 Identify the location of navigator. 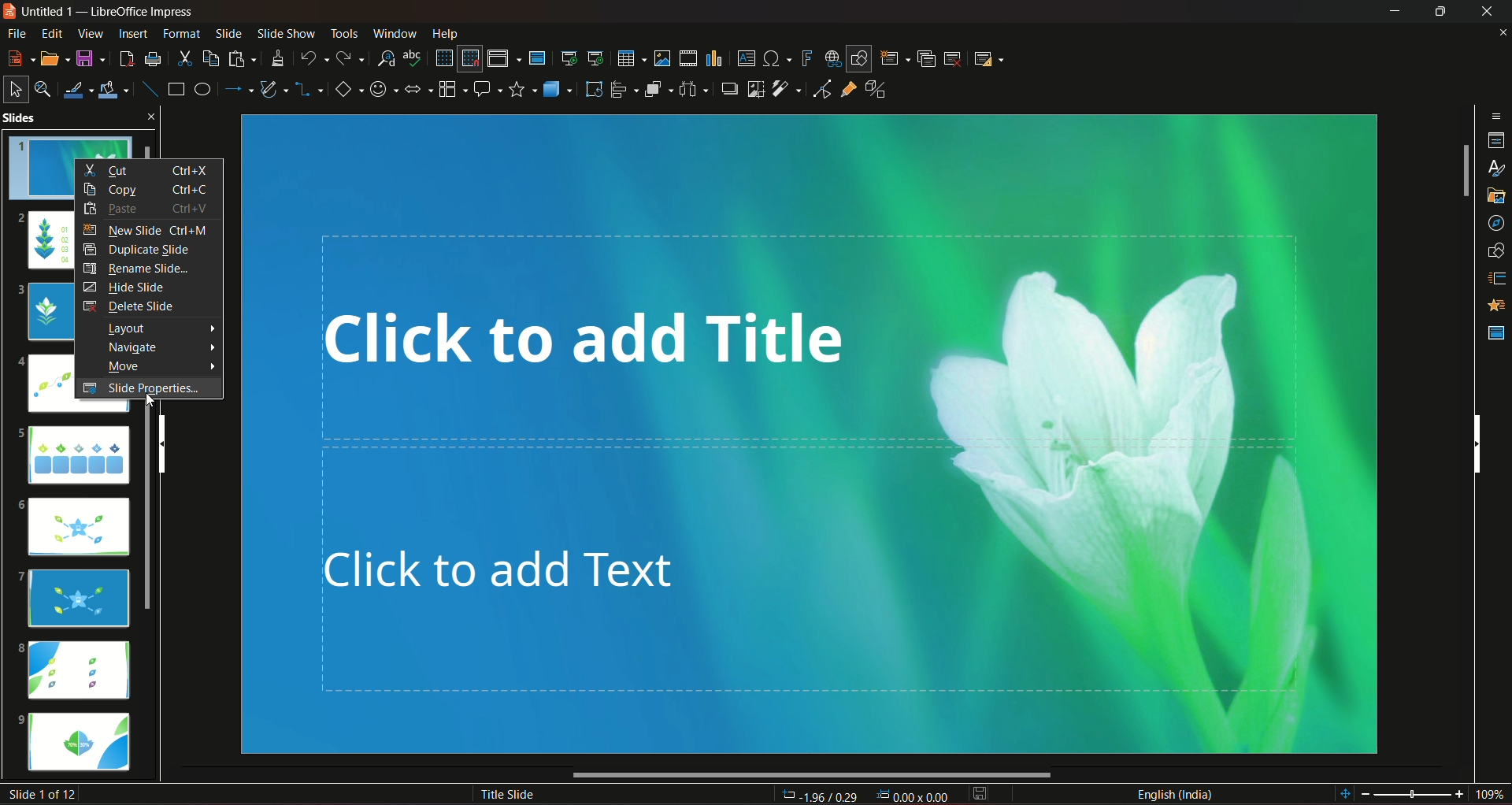
(1494, 223).